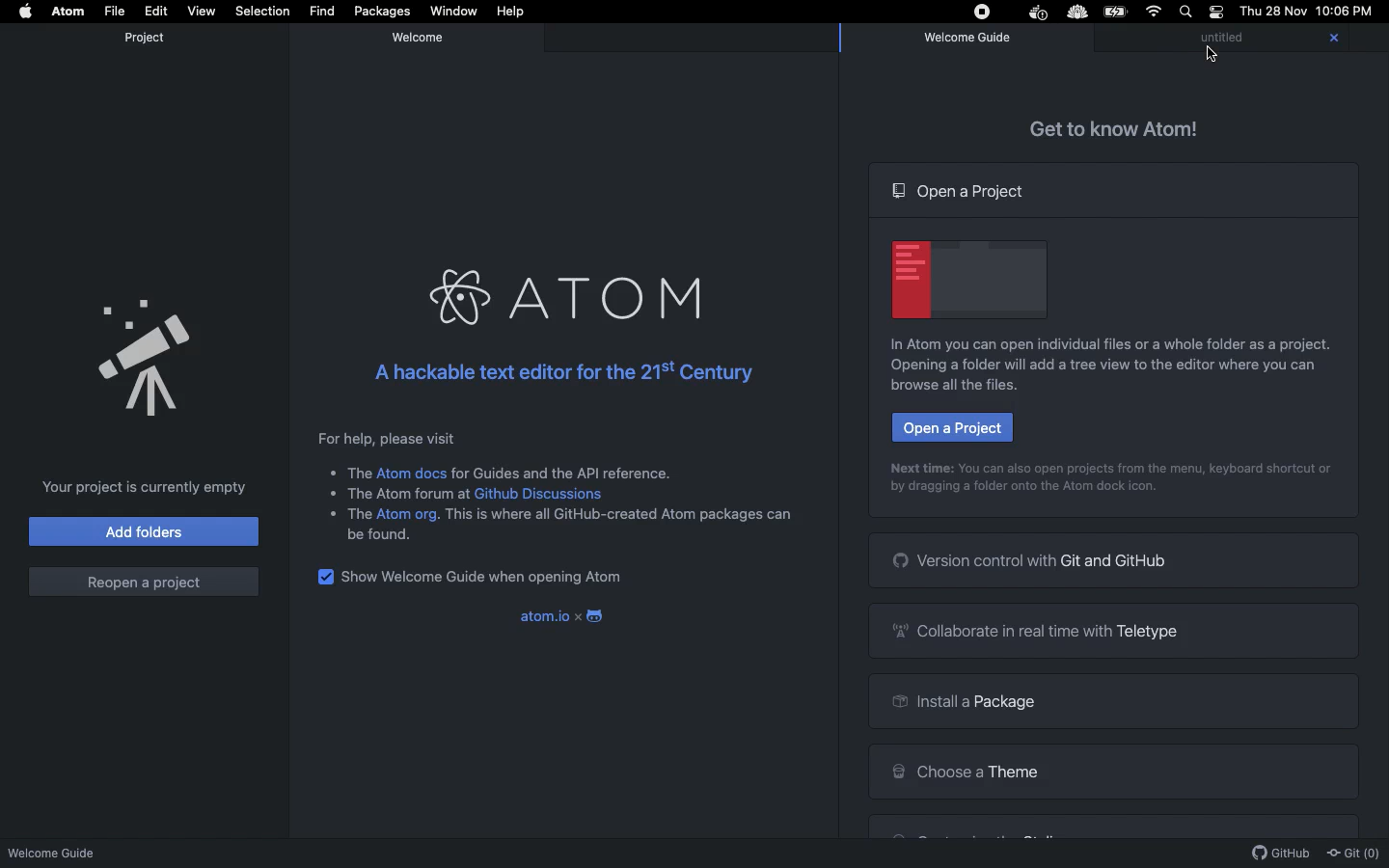 This screenshot has width=1389, height=868. I want to click on Choose a theme, so click(1109, 771).